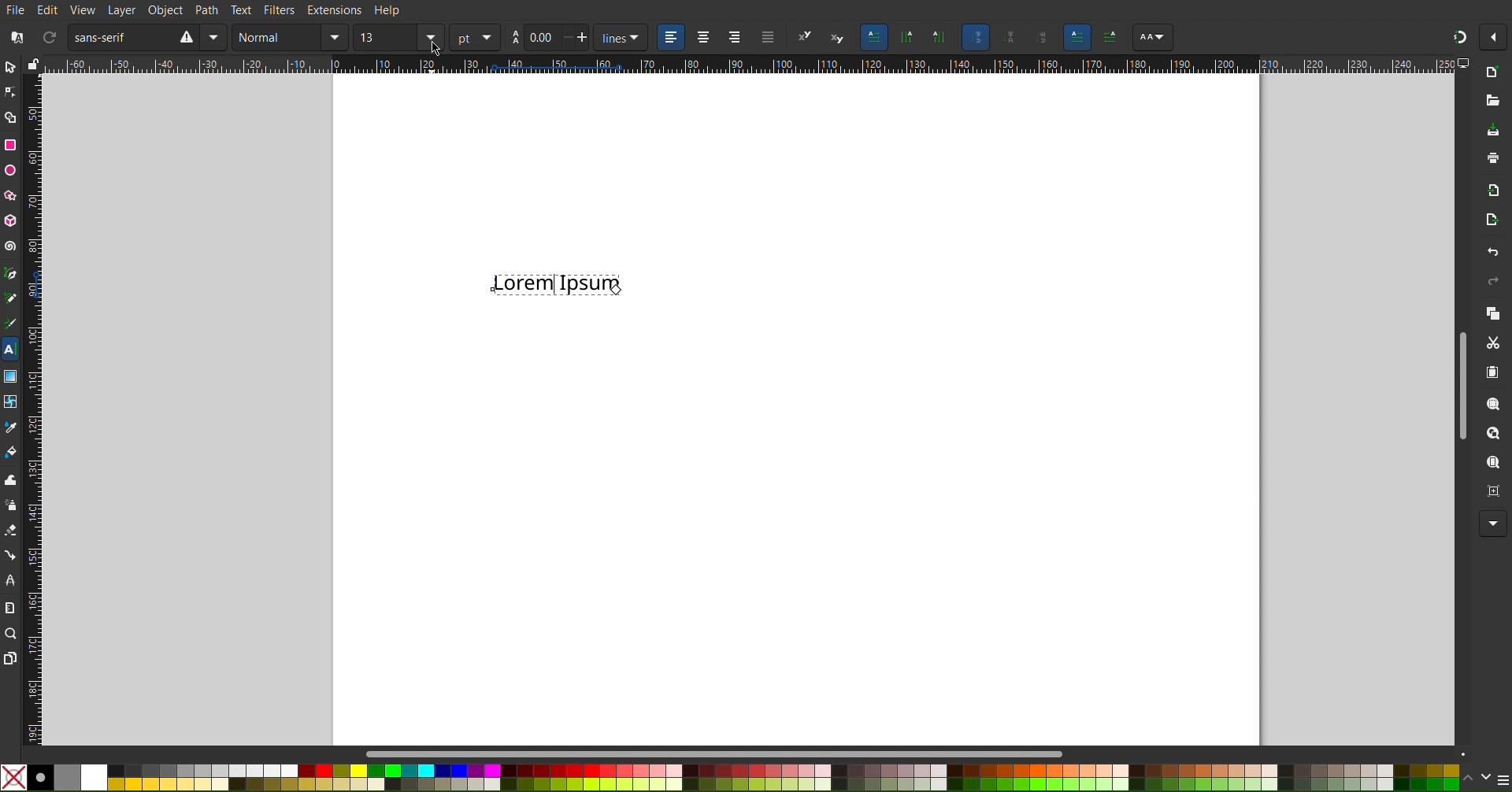 This screenshot has height=792, width=1512. Describe the element at coordinates (9, 582) in the screenshot. I see `LPE Tool` at that location.